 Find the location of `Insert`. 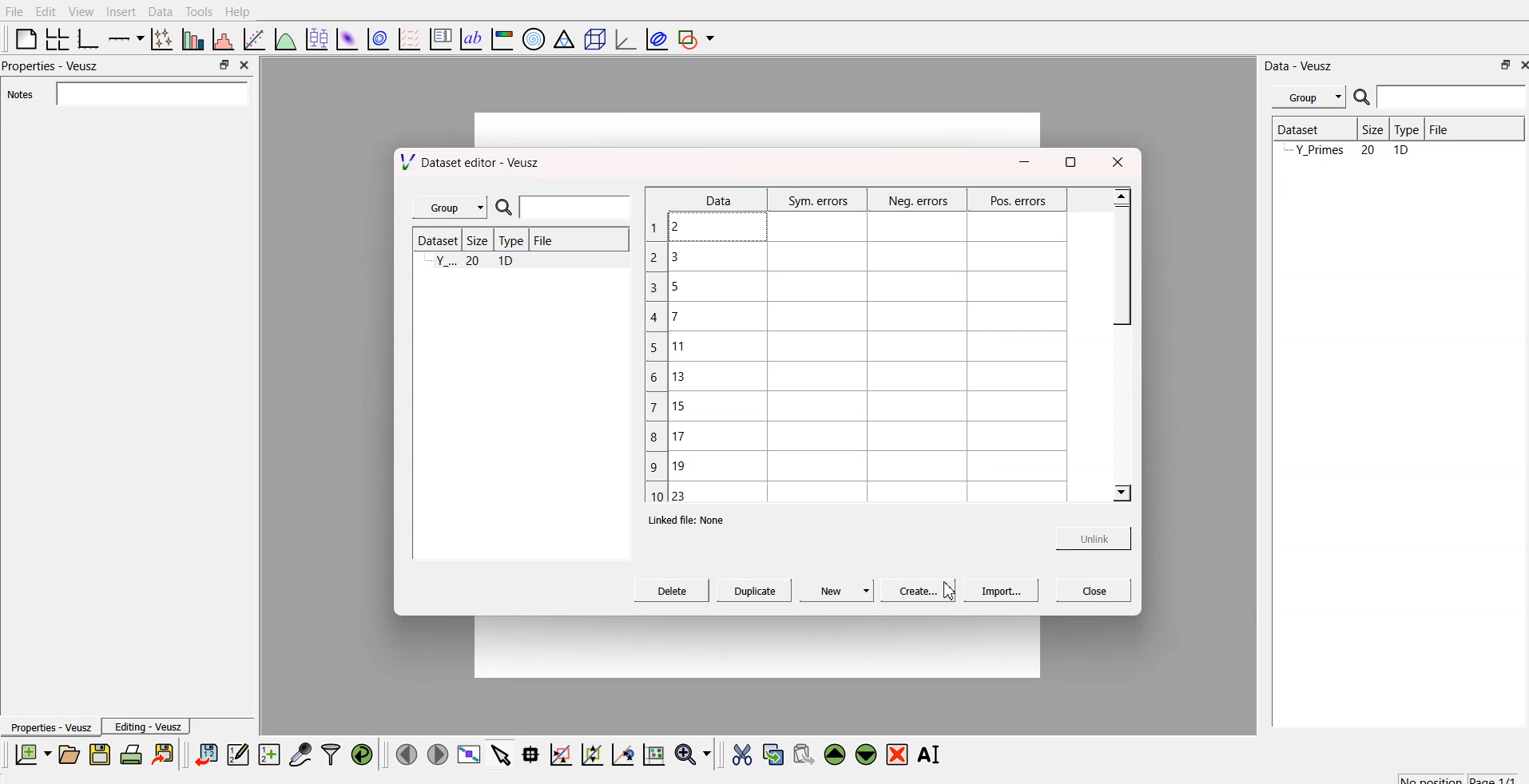

Insert is located at coordinates (121, 11).